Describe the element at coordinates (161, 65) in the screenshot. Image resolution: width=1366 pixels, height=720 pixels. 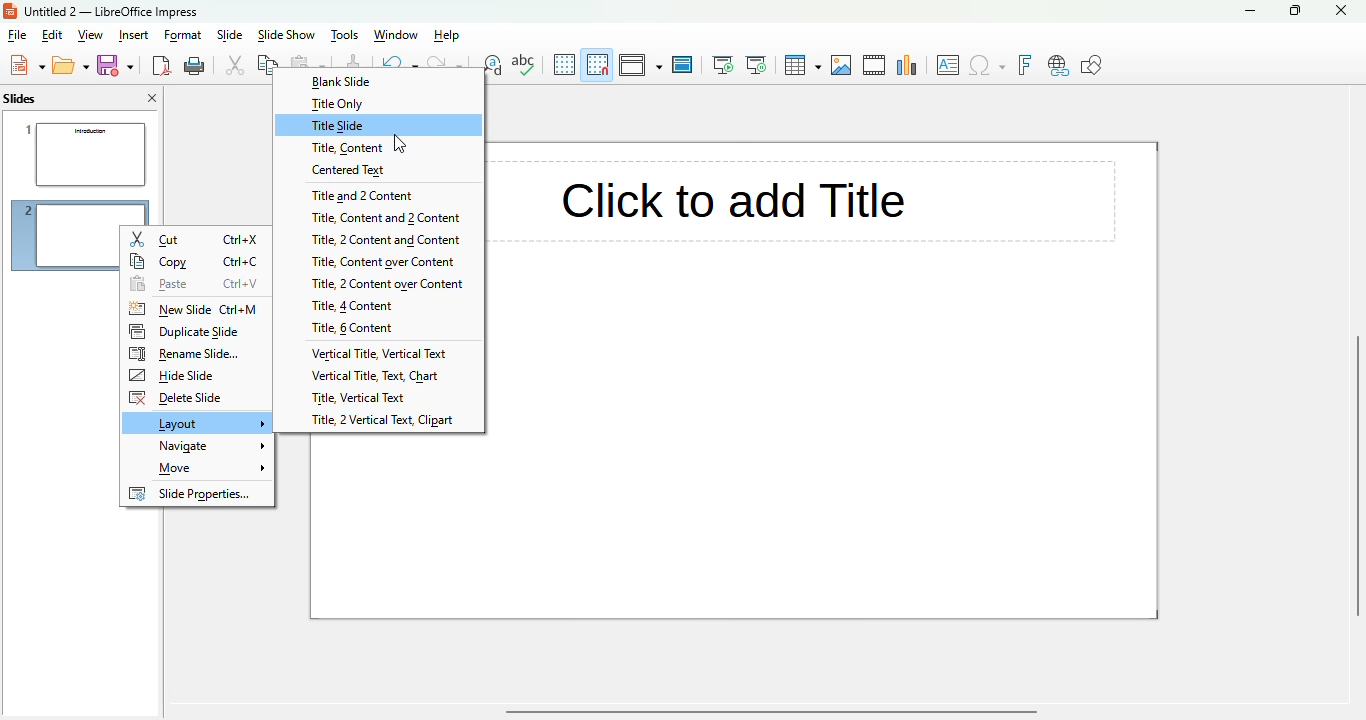
I see `export directly as PDF` at that location.